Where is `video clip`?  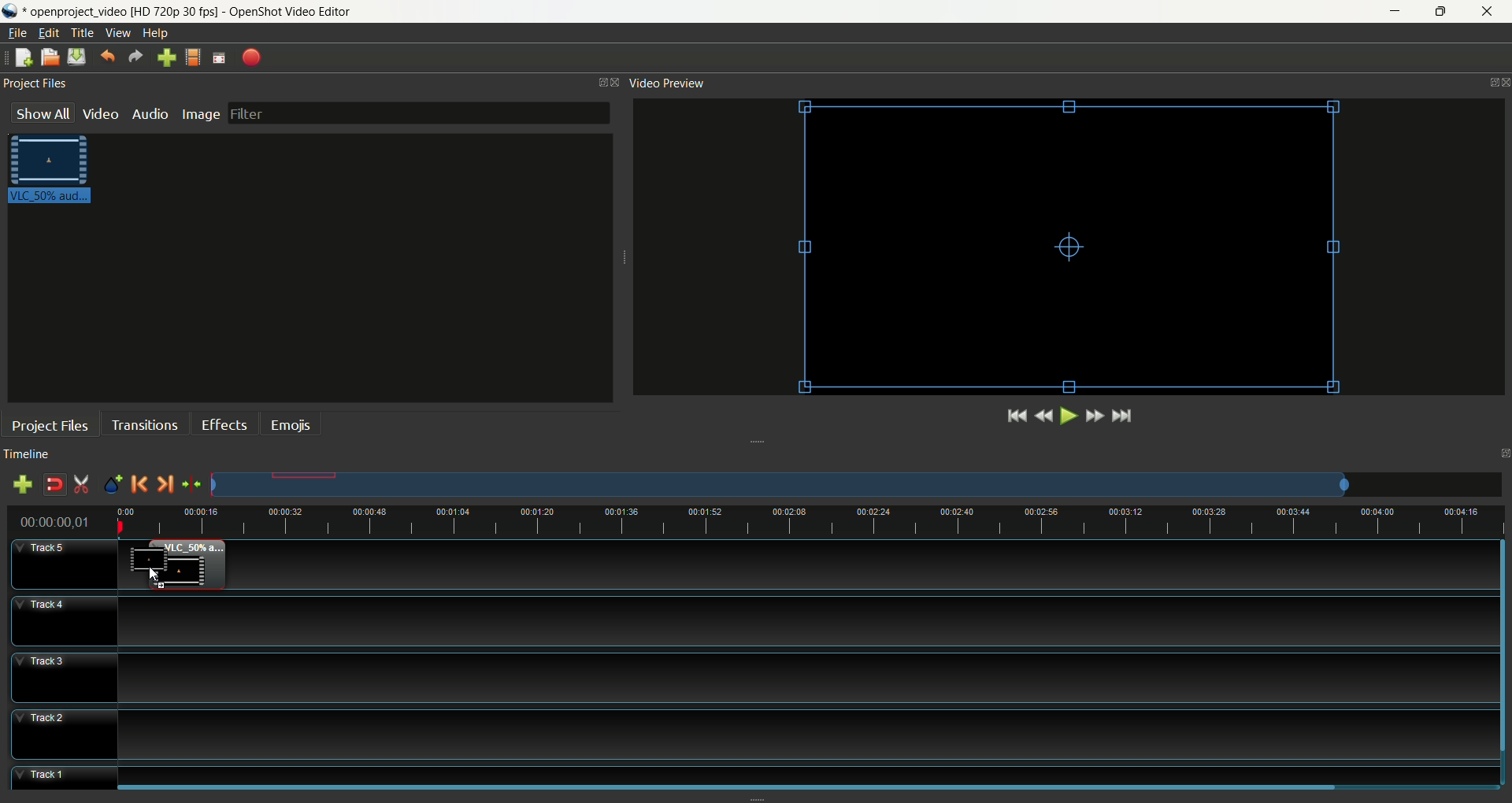
video clip is located at coordinates (49, 168).